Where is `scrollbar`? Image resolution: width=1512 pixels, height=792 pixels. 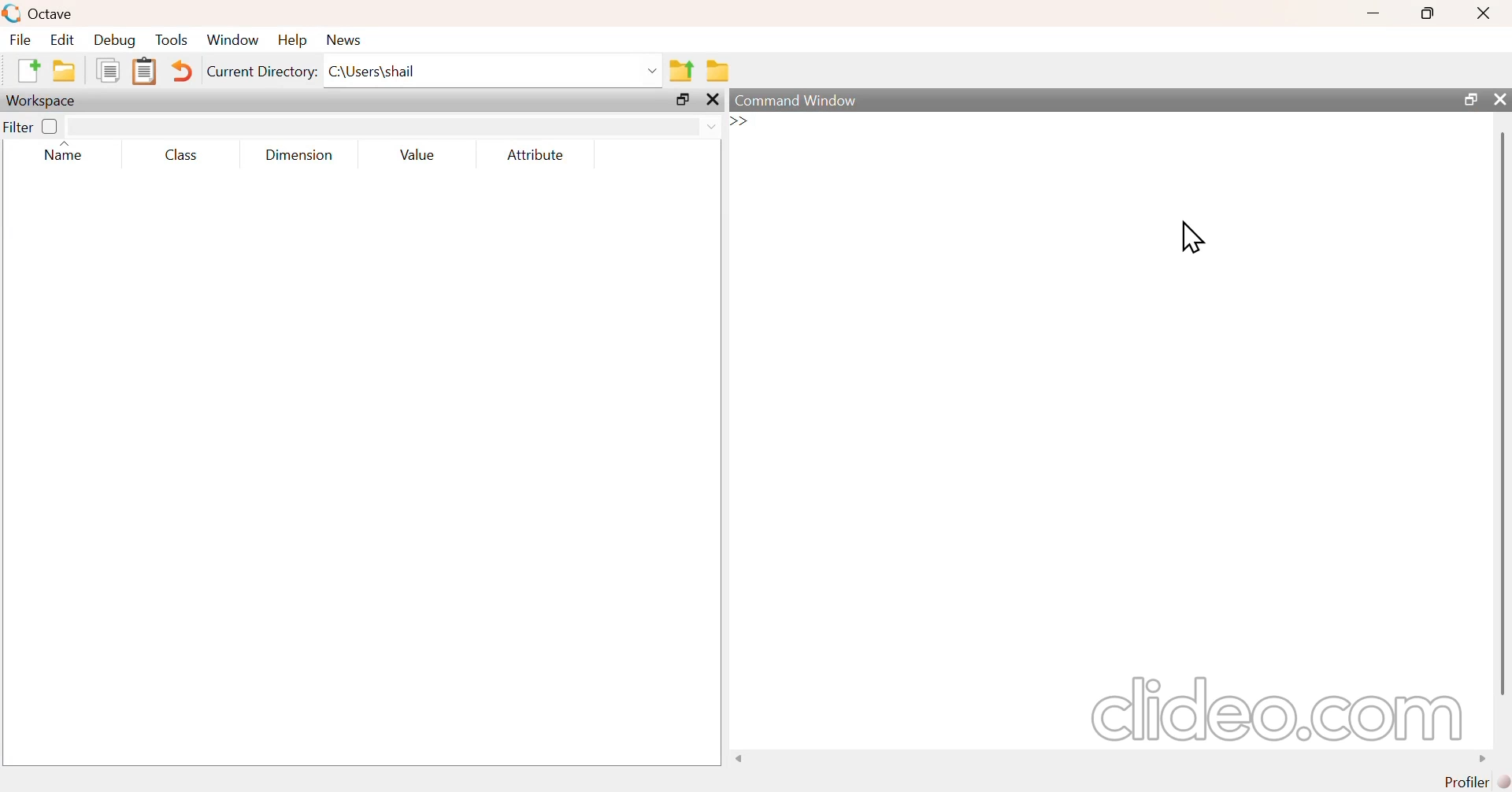 scrollbar is located at coordinates (1503, 412).